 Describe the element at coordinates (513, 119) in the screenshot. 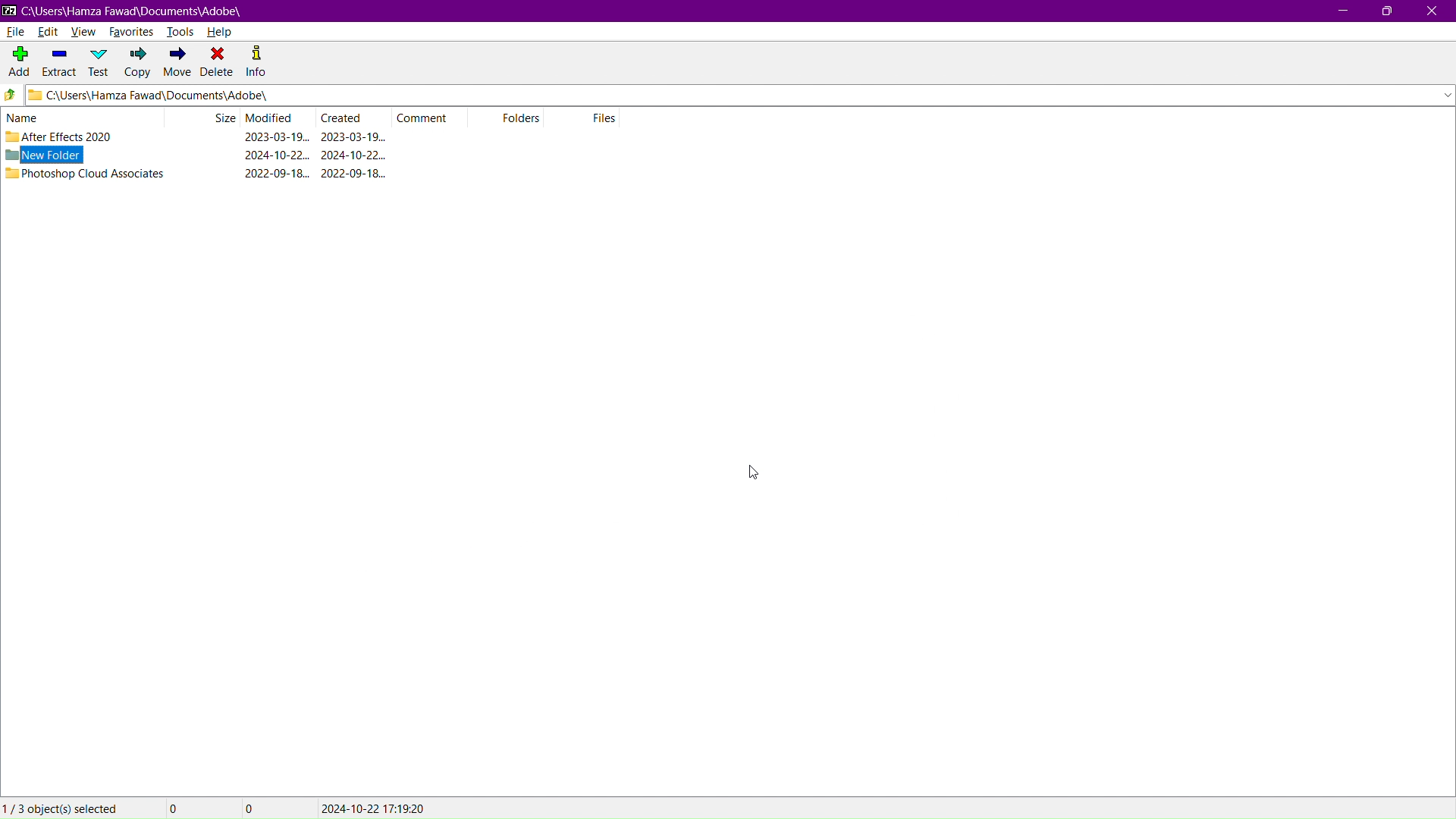

I see `Folders` at that location.